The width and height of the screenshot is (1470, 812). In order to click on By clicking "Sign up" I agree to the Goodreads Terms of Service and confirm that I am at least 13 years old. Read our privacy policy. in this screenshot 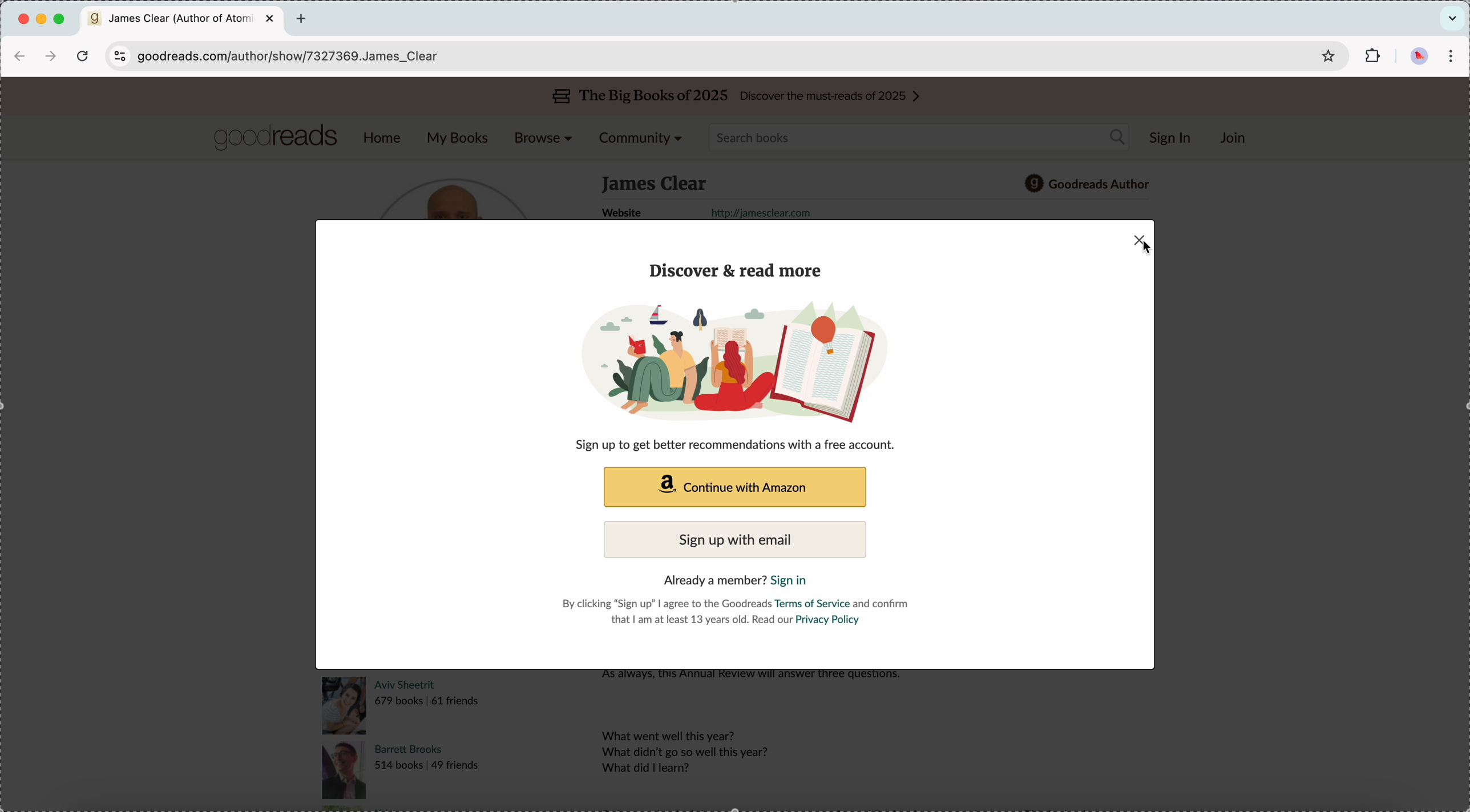, I will do `click(738, 612)`.